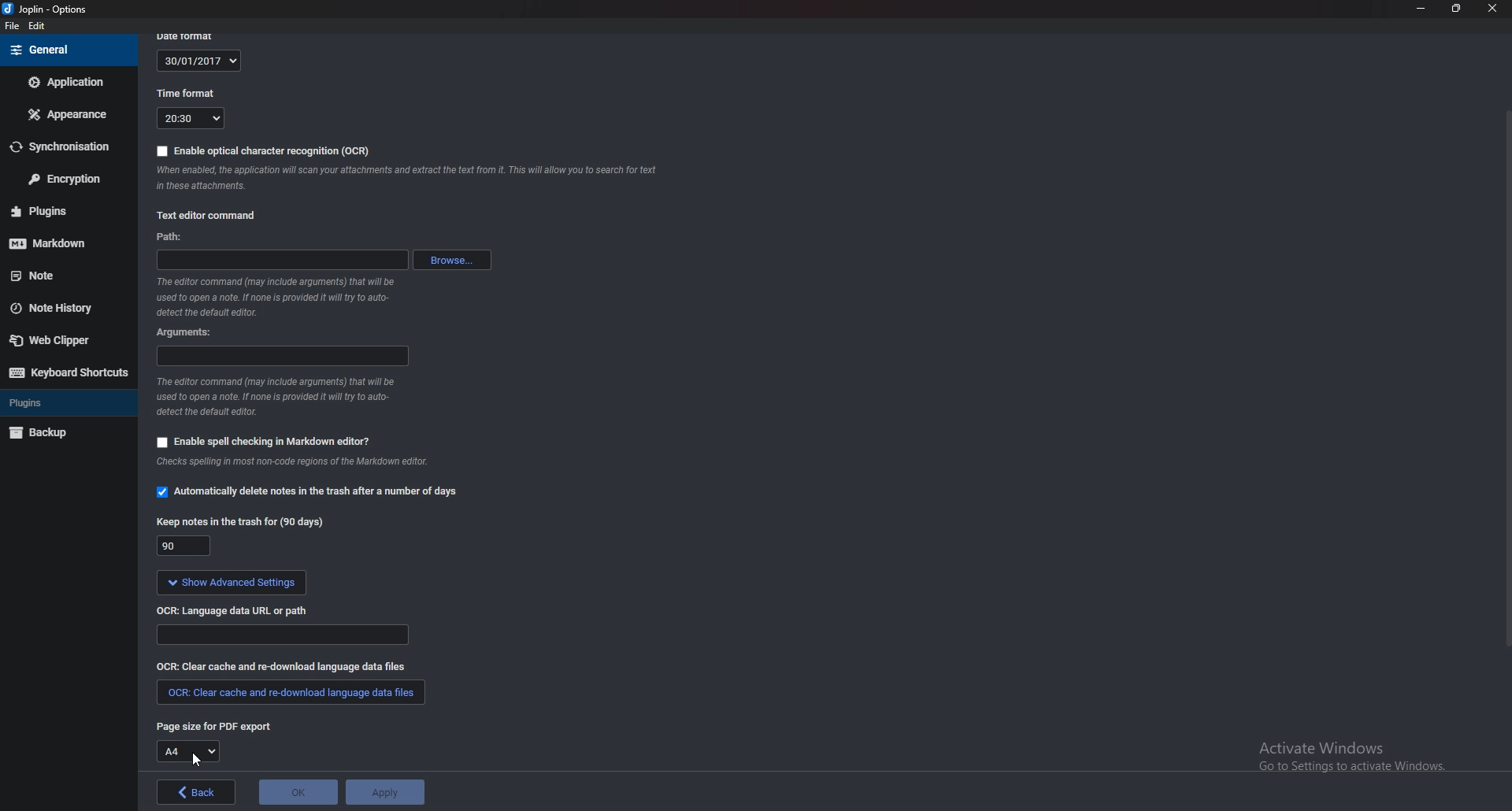 The width and height of the screenshot is (1512, 811). I want to click on browse, so click(450, 260).